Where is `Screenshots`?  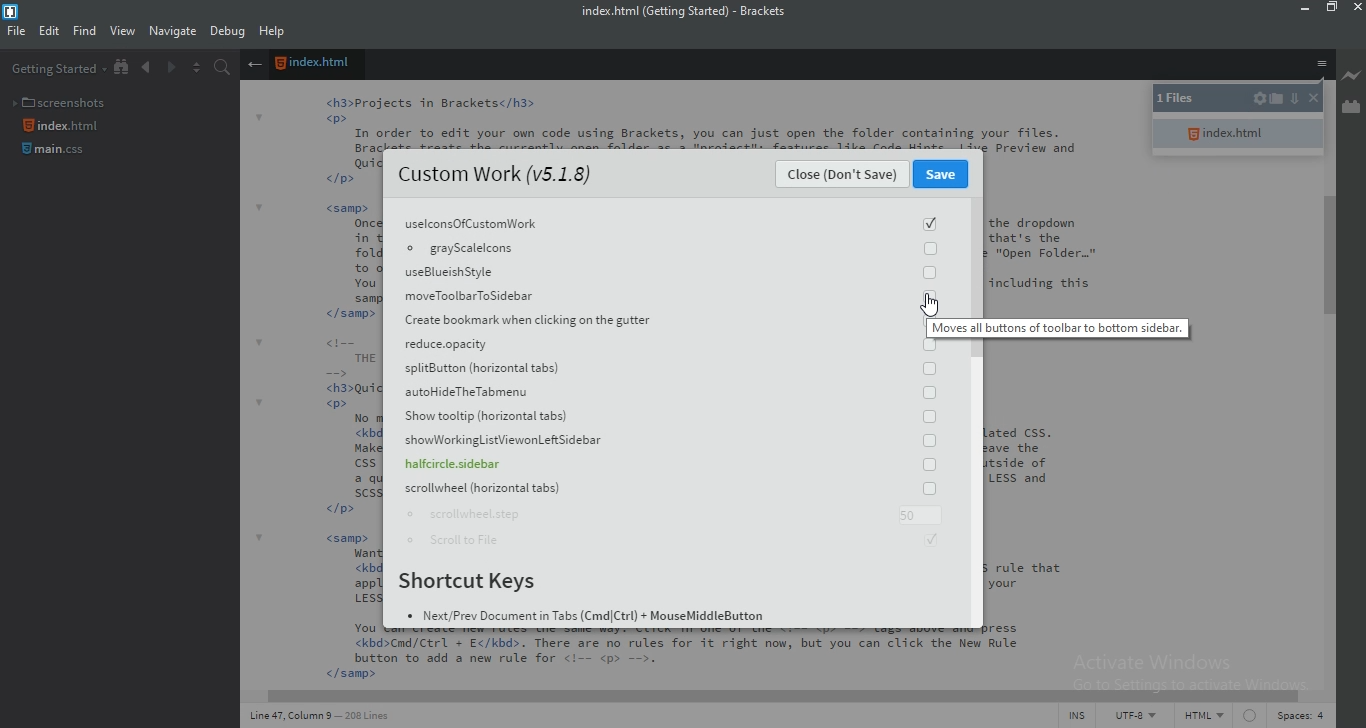 Screenshots is located at coordinates (63, 100).